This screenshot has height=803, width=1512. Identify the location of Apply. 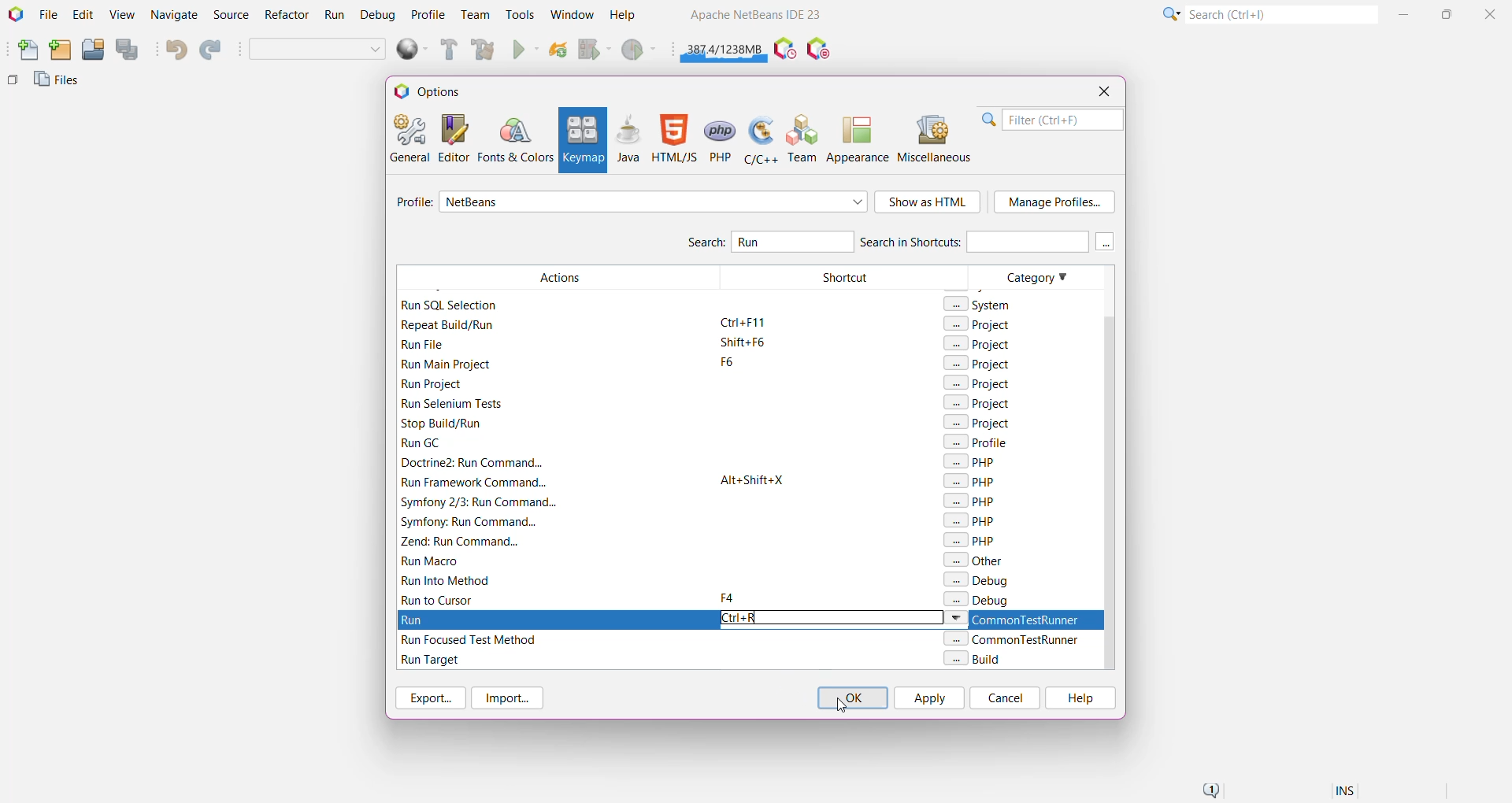
(928, 698).